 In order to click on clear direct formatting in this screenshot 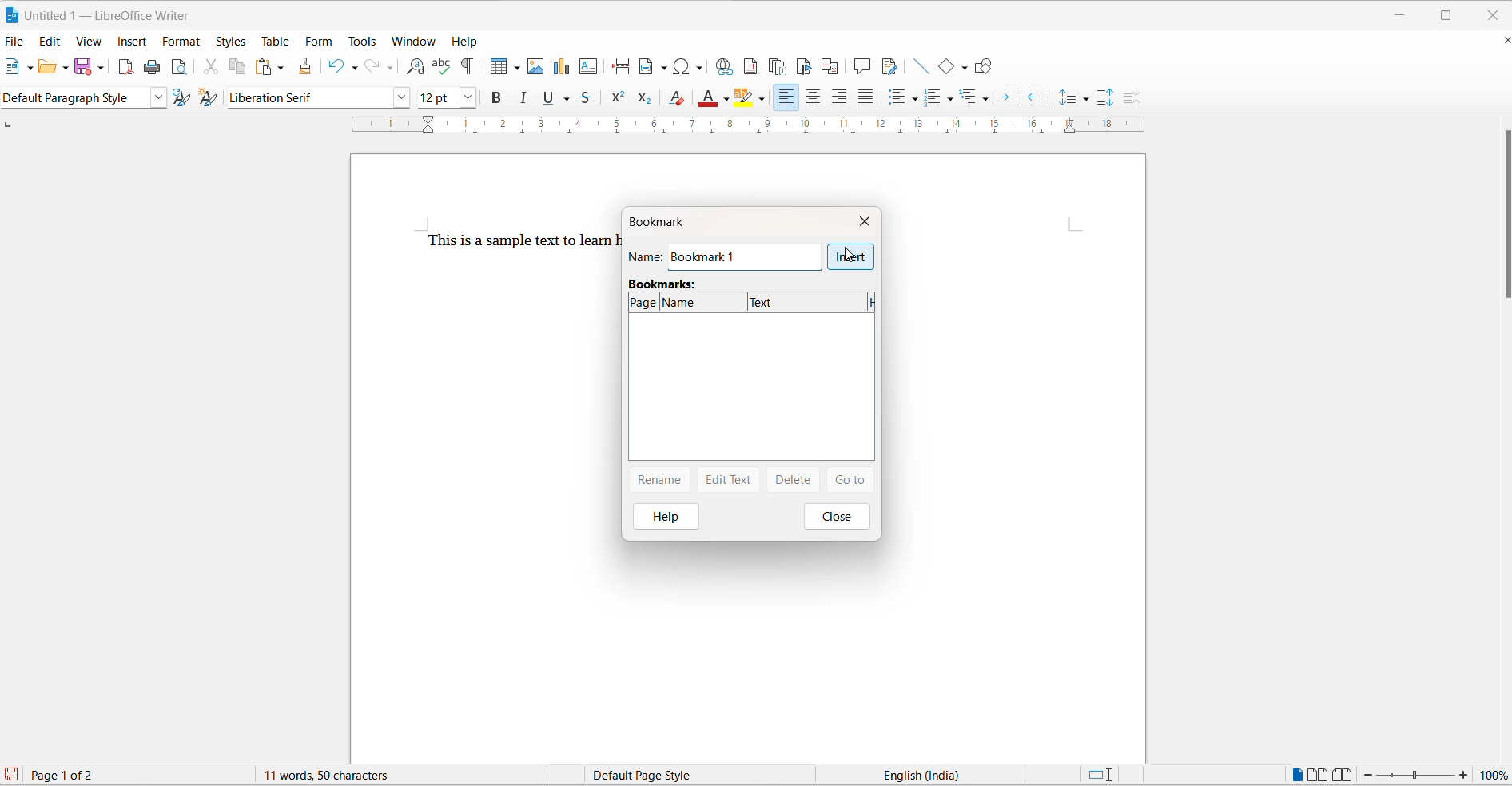, I will do `click(676, 98)`.